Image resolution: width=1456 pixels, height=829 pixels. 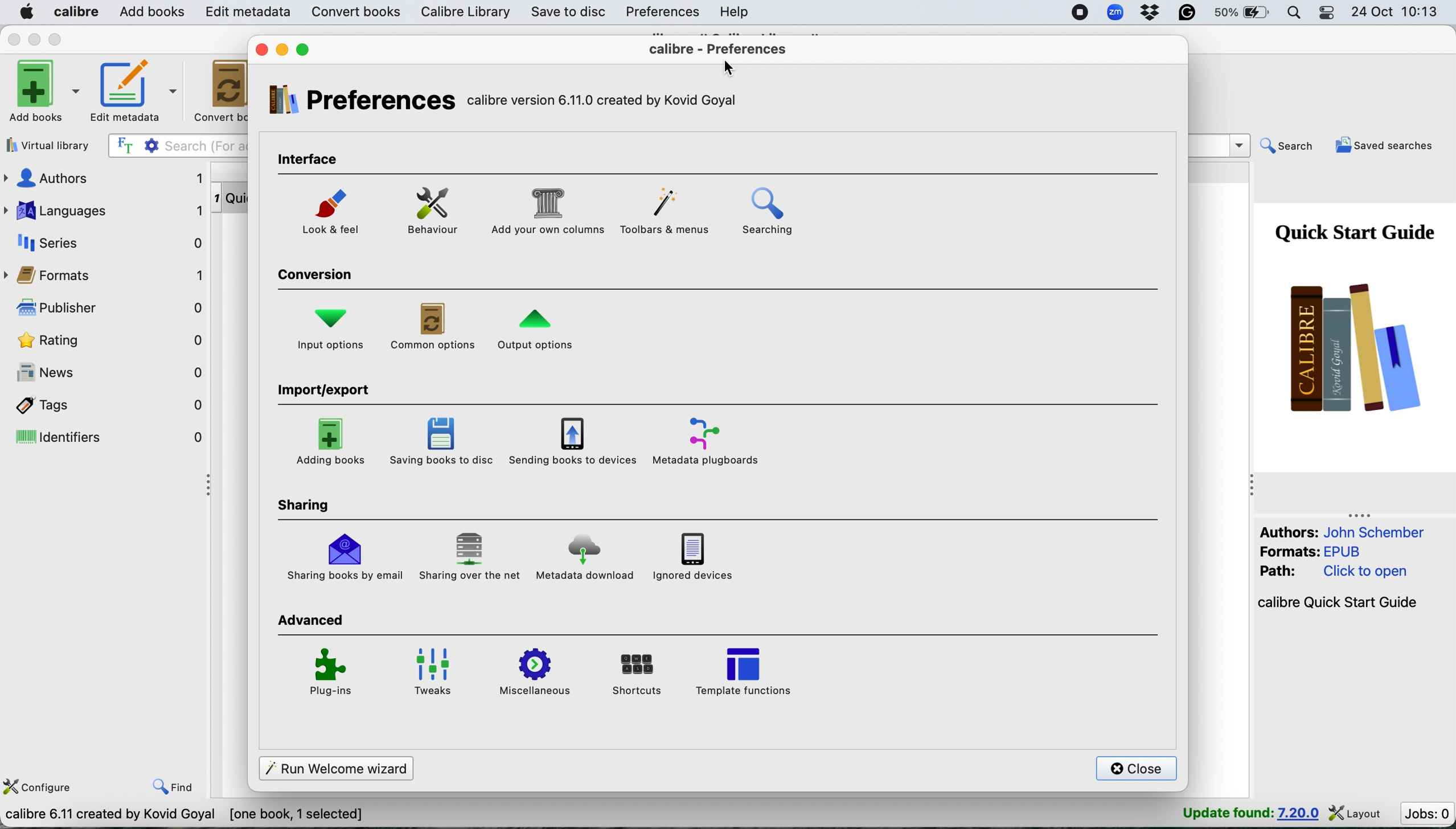 What do you see at coordinates (546, 212) in the screenshot?
I see `add your own columns` at bounding box center [546, 212].